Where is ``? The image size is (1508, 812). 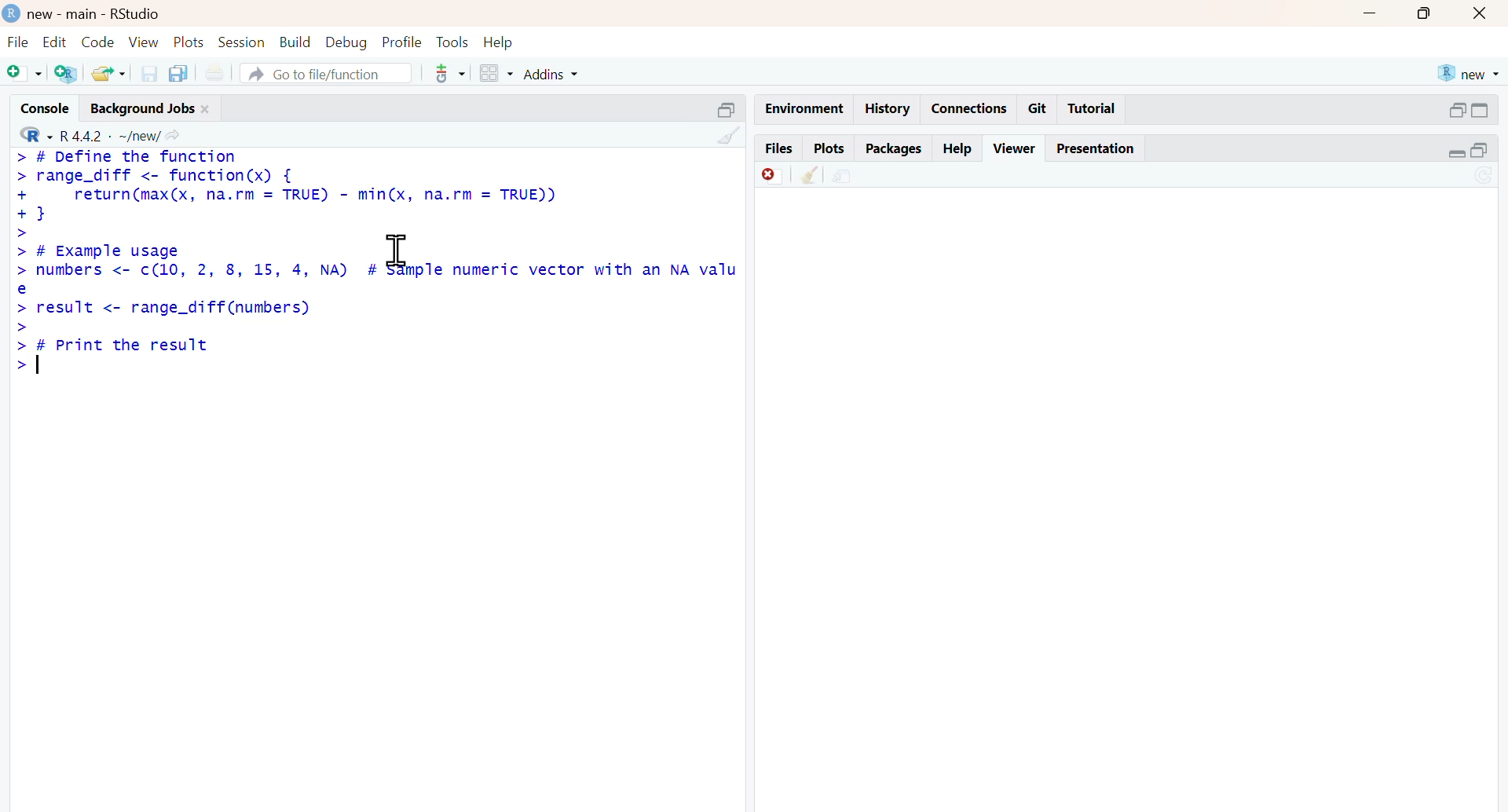
 is located at coordinates (729, 135).